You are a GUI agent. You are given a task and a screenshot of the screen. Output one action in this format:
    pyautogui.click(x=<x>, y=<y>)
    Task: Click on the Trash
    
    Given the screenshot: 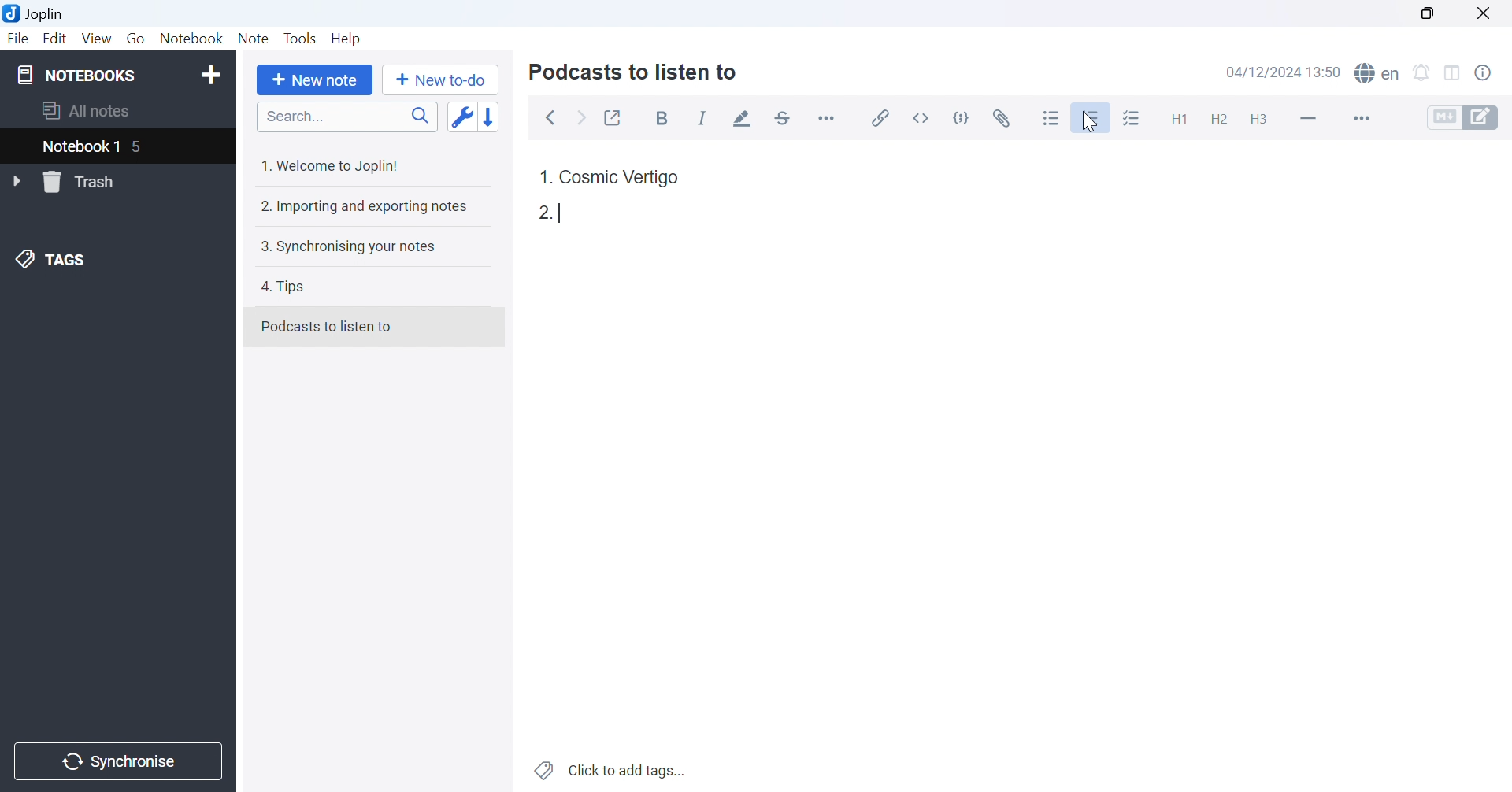 What is the action you would take?
    pyautogui.click(x=88, y=182)
    